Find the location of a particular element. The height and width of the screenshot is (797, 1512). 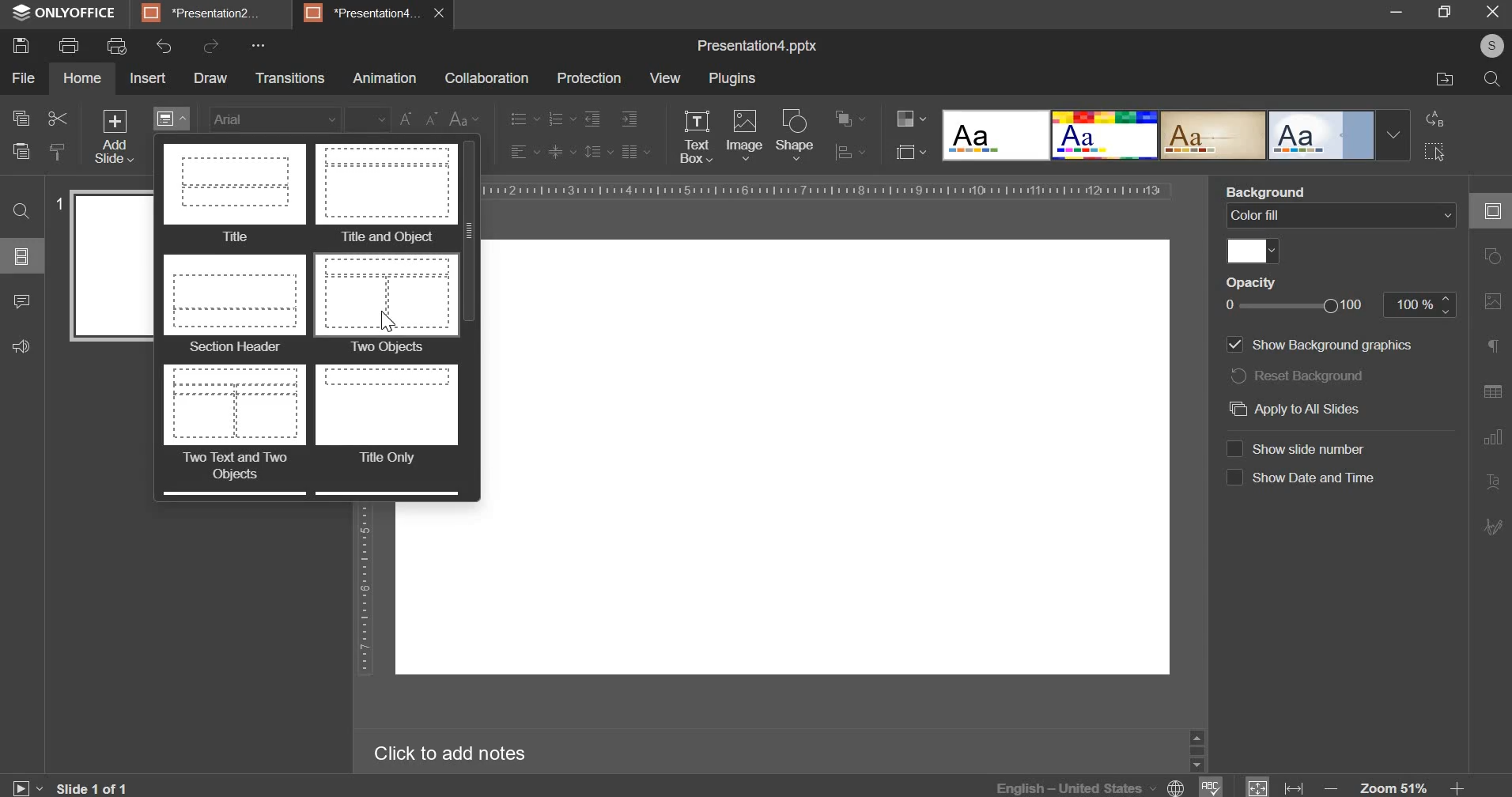

slide setting is located at coordinates (1489, 211).